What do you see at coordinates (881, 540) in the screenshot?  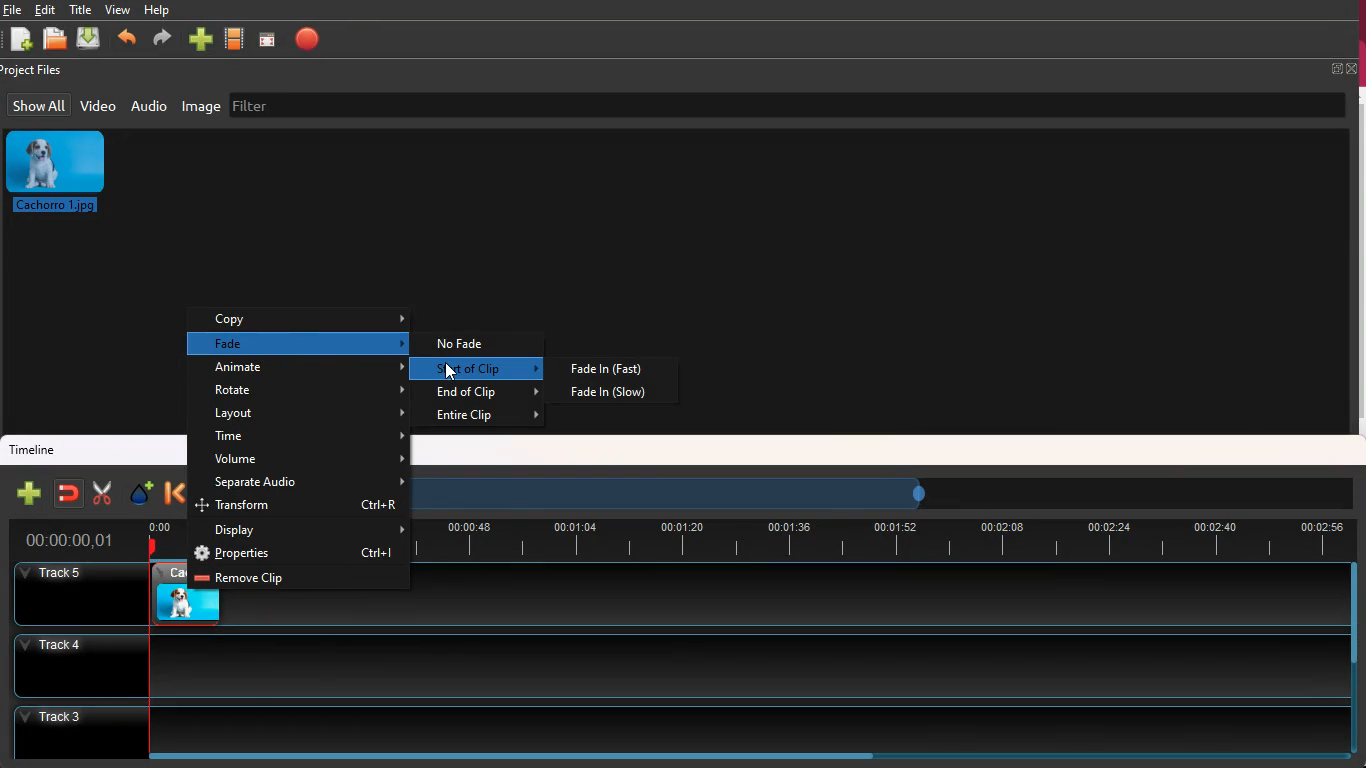 I see `time` at bounding box center [881, 540].